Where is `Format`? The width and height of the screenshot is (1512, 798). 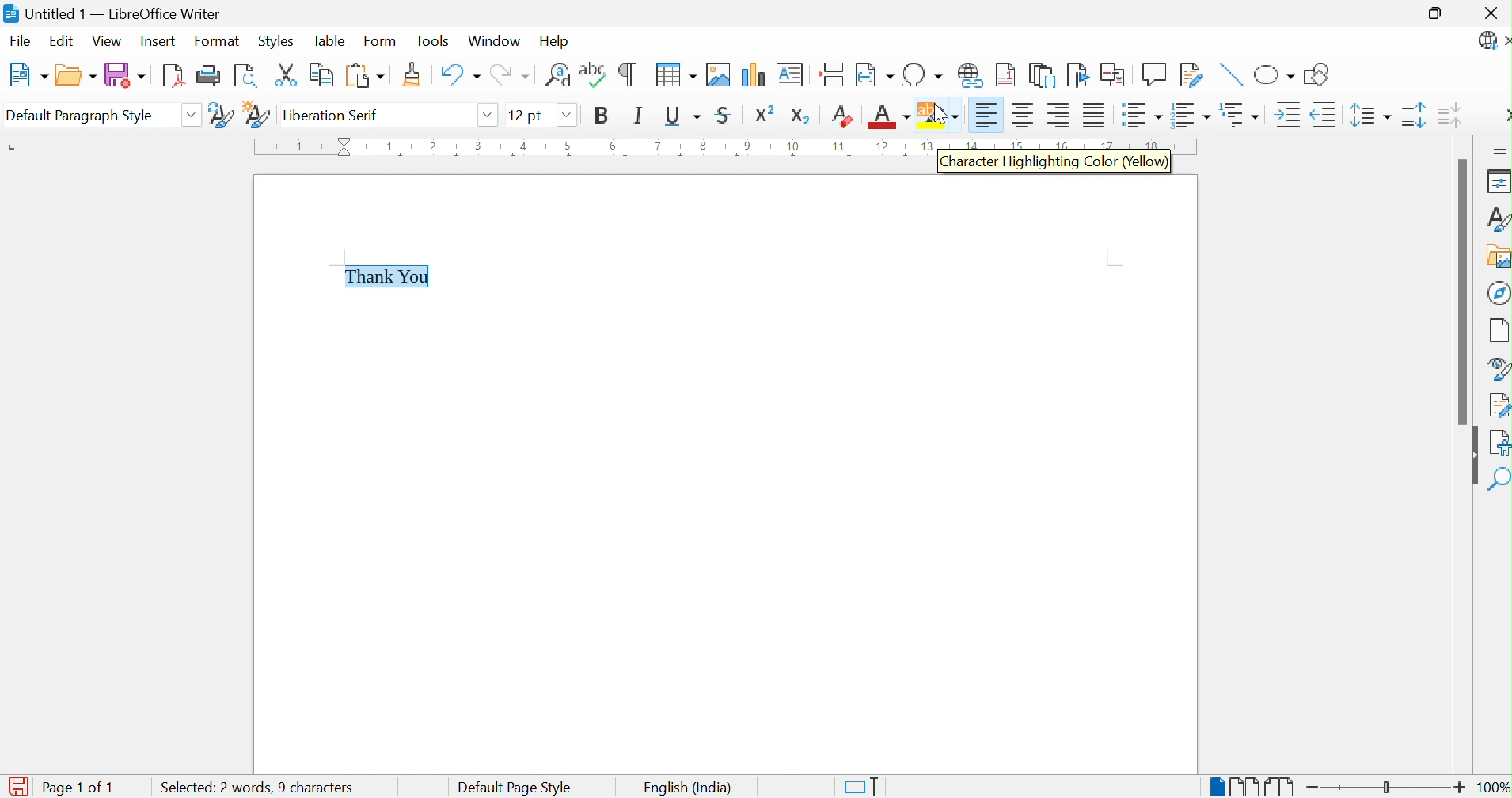
Format is located at coordinates (218, 42).